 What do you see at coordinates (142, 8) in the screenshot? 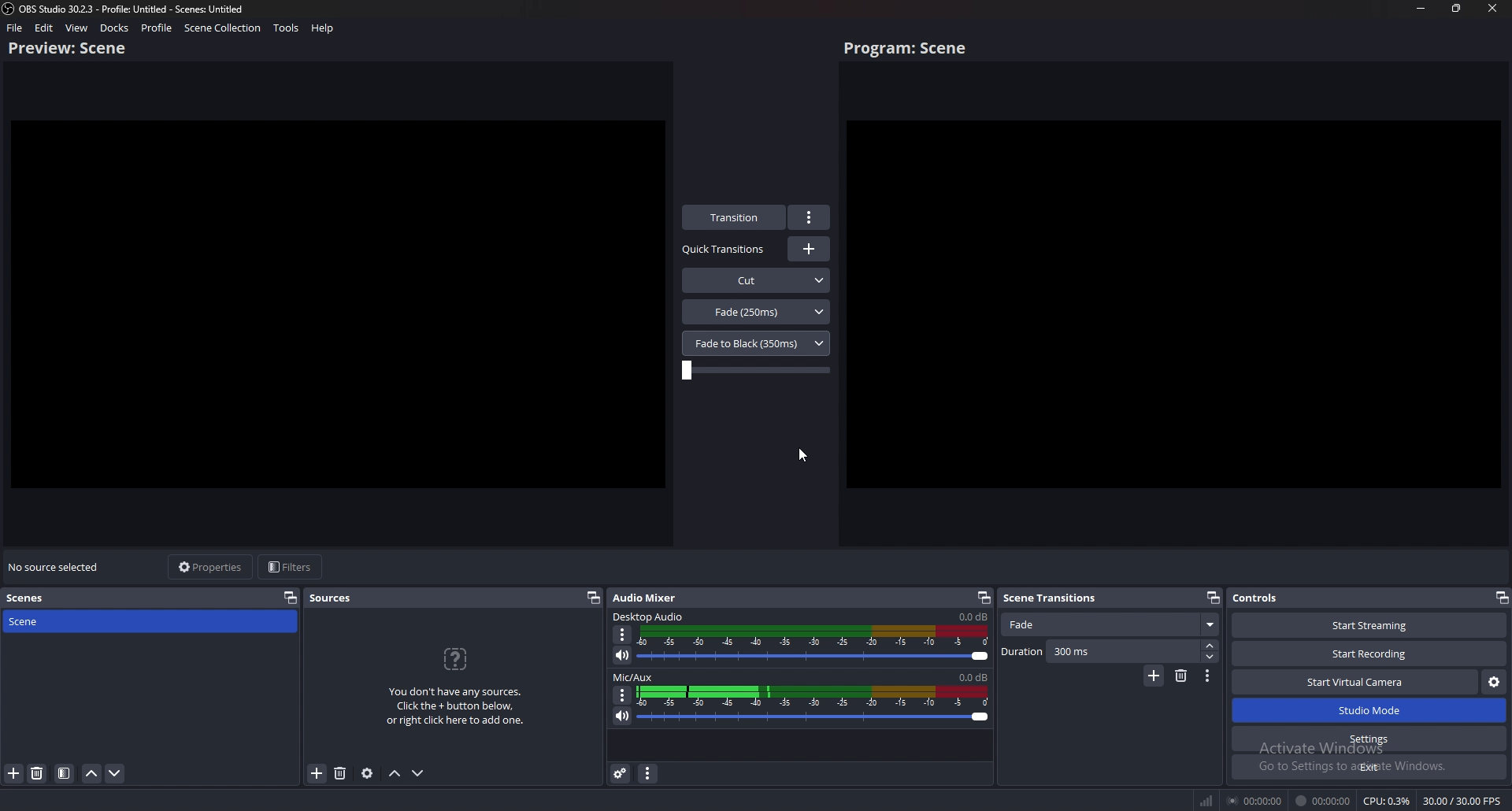
I see `) OBS 30.2.3 - Profile: Untitled - Scenes: Untitled` at bounding box center [142, 8].